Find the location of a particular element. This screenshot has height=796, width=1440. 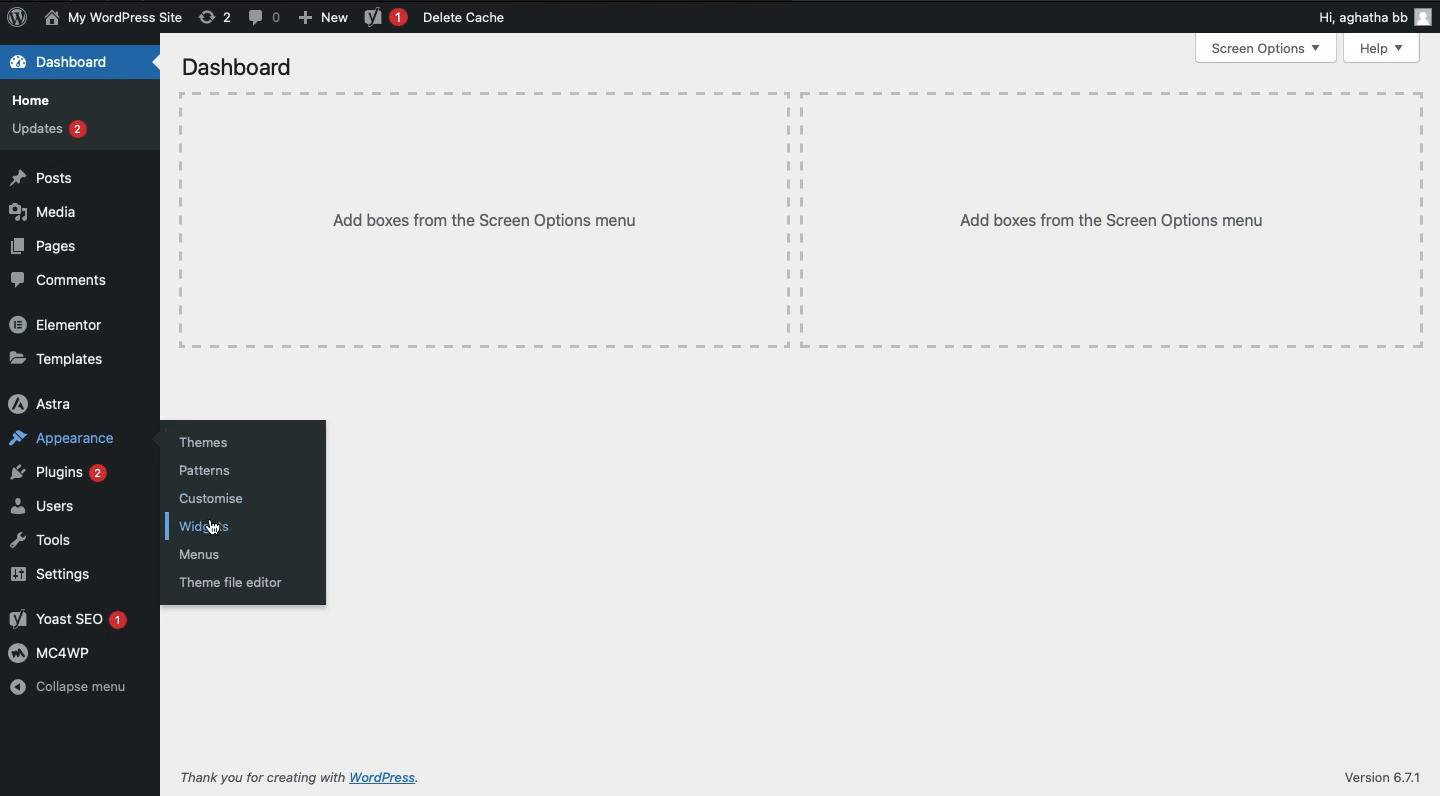

 is located at coordinates (1337, 17).